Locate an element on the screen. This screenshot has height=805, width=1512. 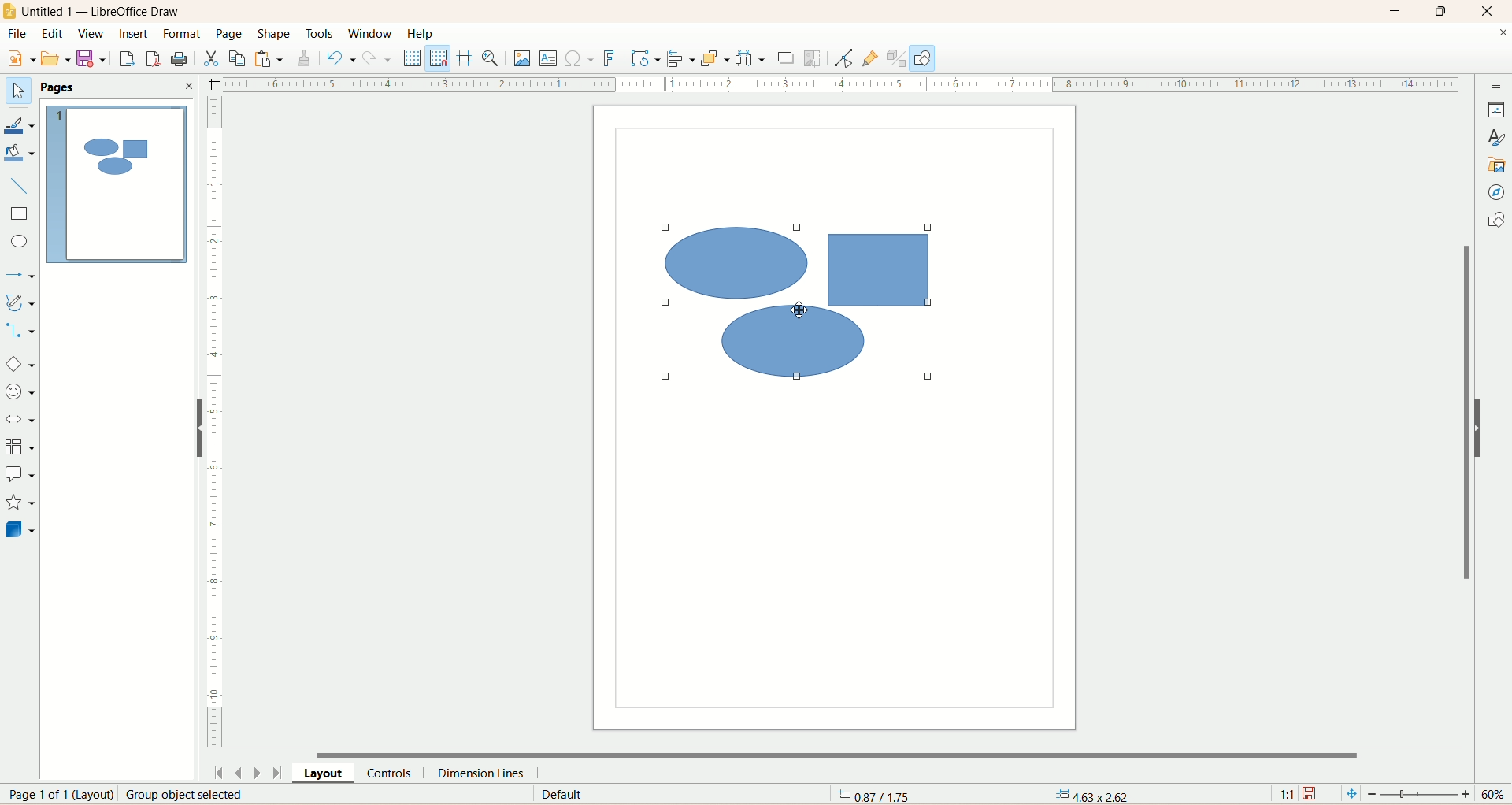
scale bar is located at coordinates (220, 422).